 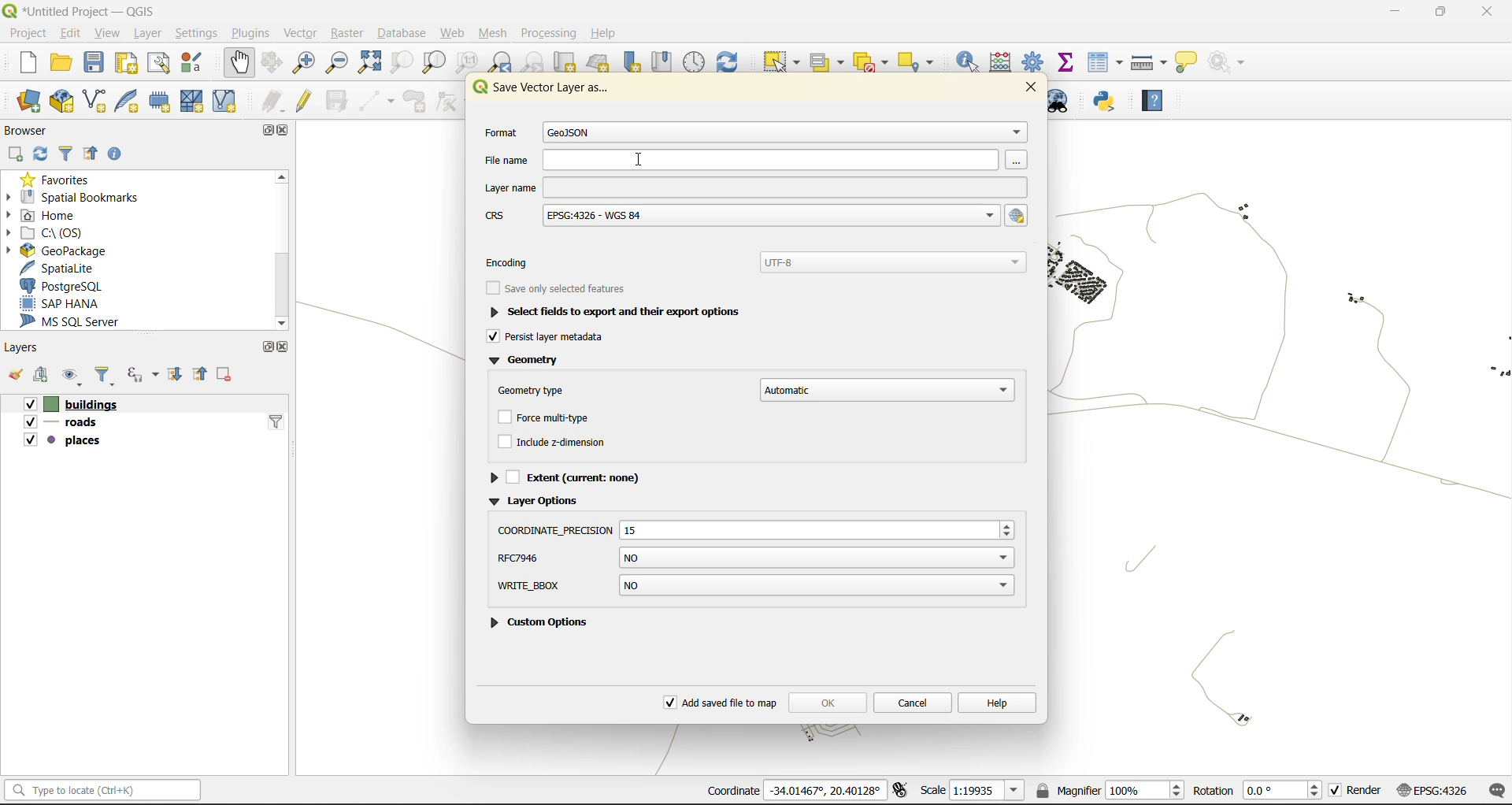 I want to click on minimize, so click(x=1390, y=15).